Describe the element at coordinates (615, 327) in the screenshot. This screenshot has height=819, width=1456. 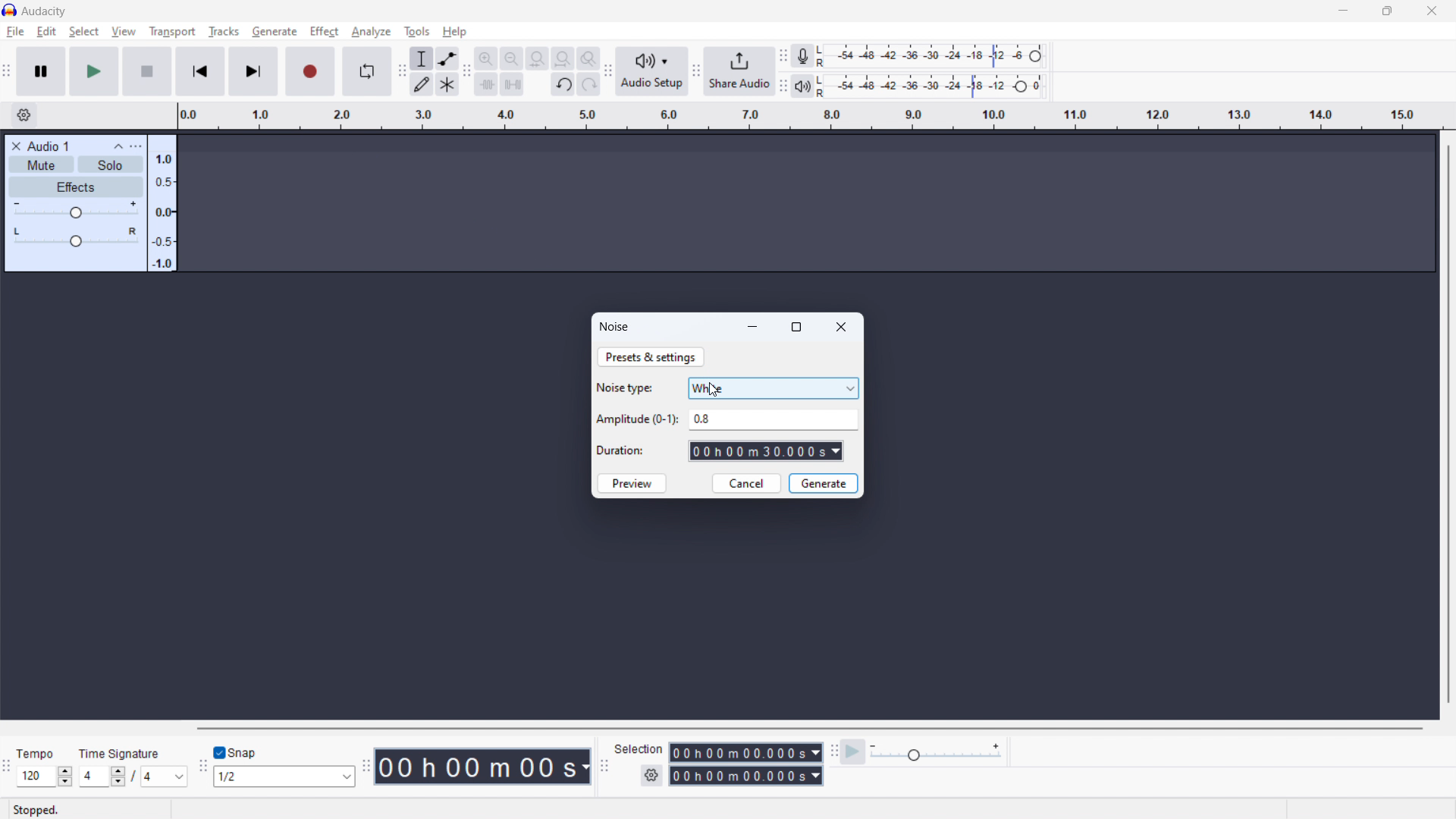
I see `generate noise dialogbox` at that location.